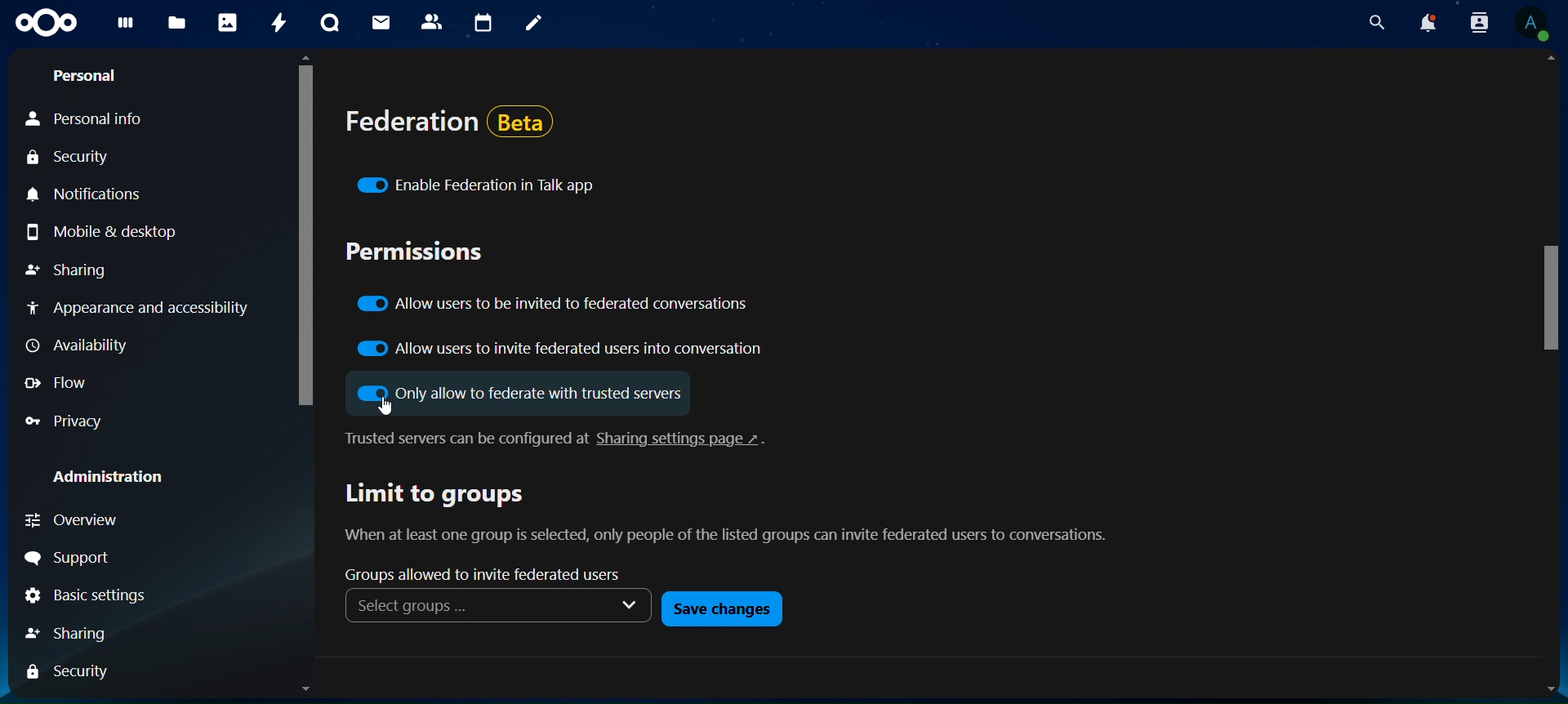 The image size is (1568, 704). What do you see at coordinates (87, 118) in the screenshot?
I see `personal info` at bounding box center [87, 118].